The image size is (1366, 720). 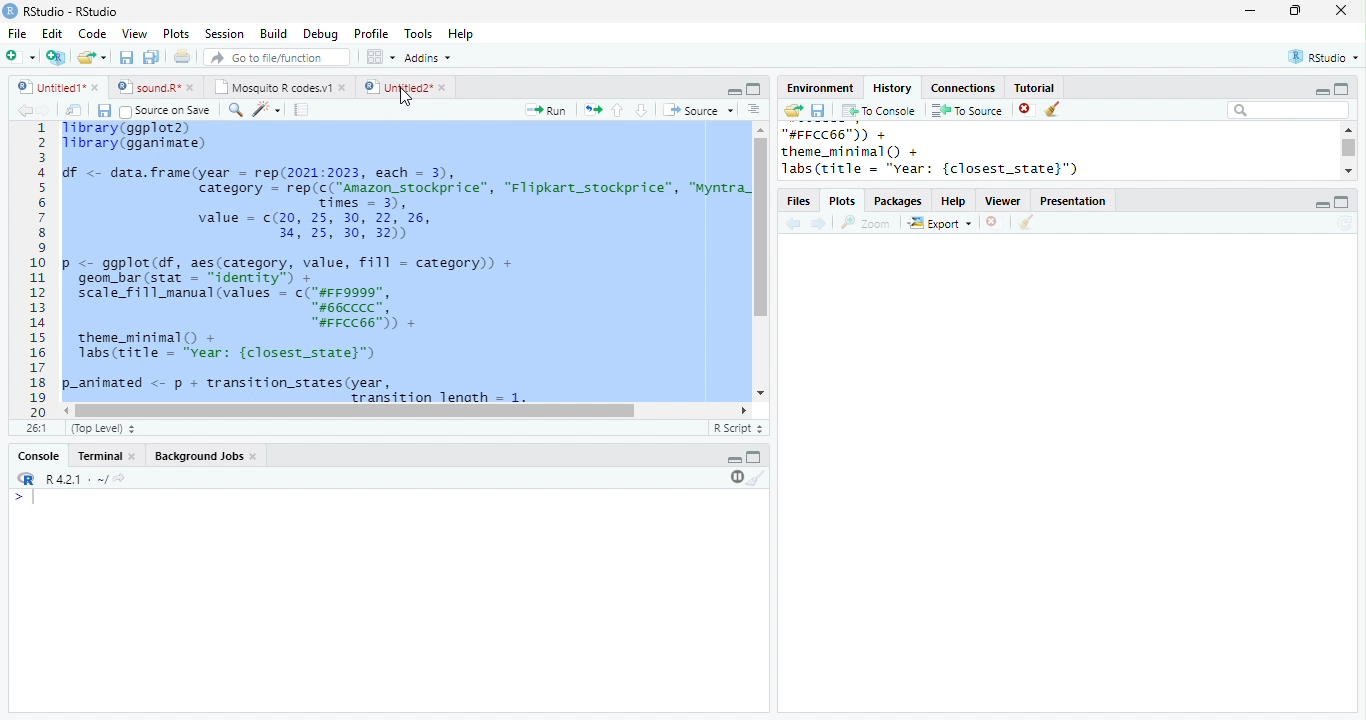 What do you see at coordinates (10, 11) in the screenshot?
I see `logo` at bounding box center [10, 11].